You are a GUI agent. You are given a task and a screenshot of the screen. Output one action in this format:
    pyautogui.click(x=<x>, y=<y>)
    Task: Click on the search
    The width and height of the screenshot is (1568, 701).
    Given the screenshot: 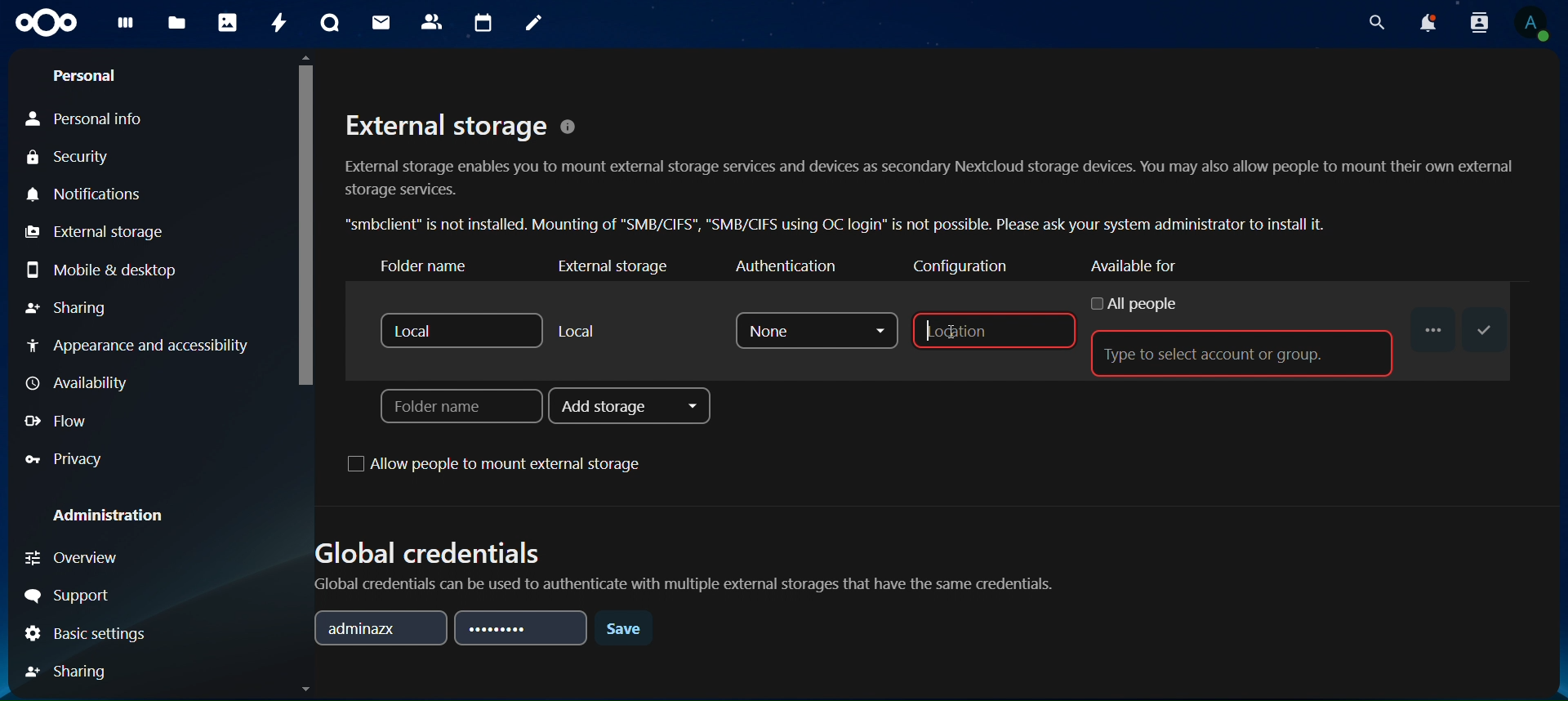 What is the action you would take?
    pyautogui.click(x=1375, y=23)
    